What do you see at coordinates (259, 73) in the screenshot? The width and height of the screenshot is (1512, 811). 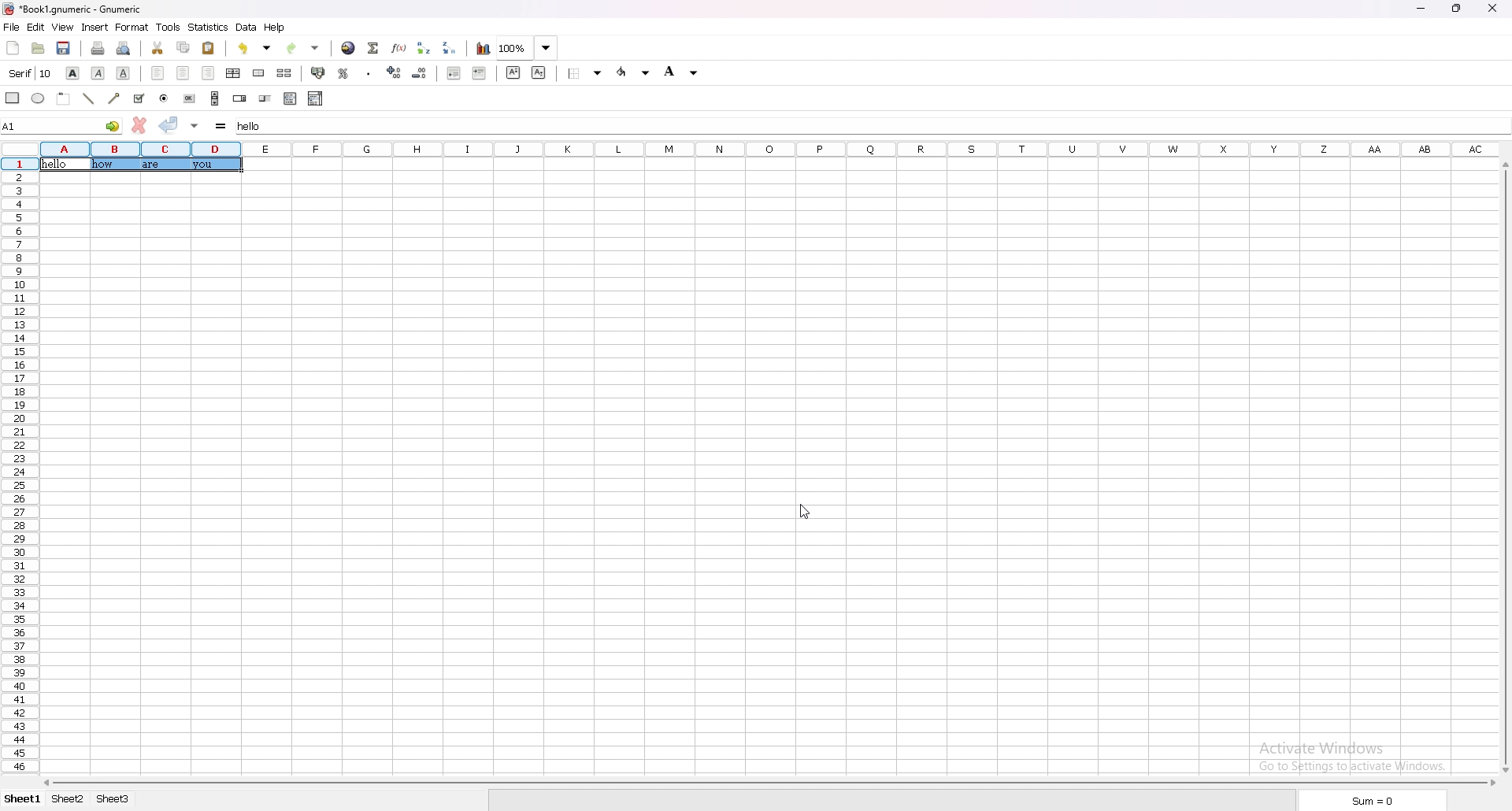 I see `merge cells` at bounding box center [259, 73].